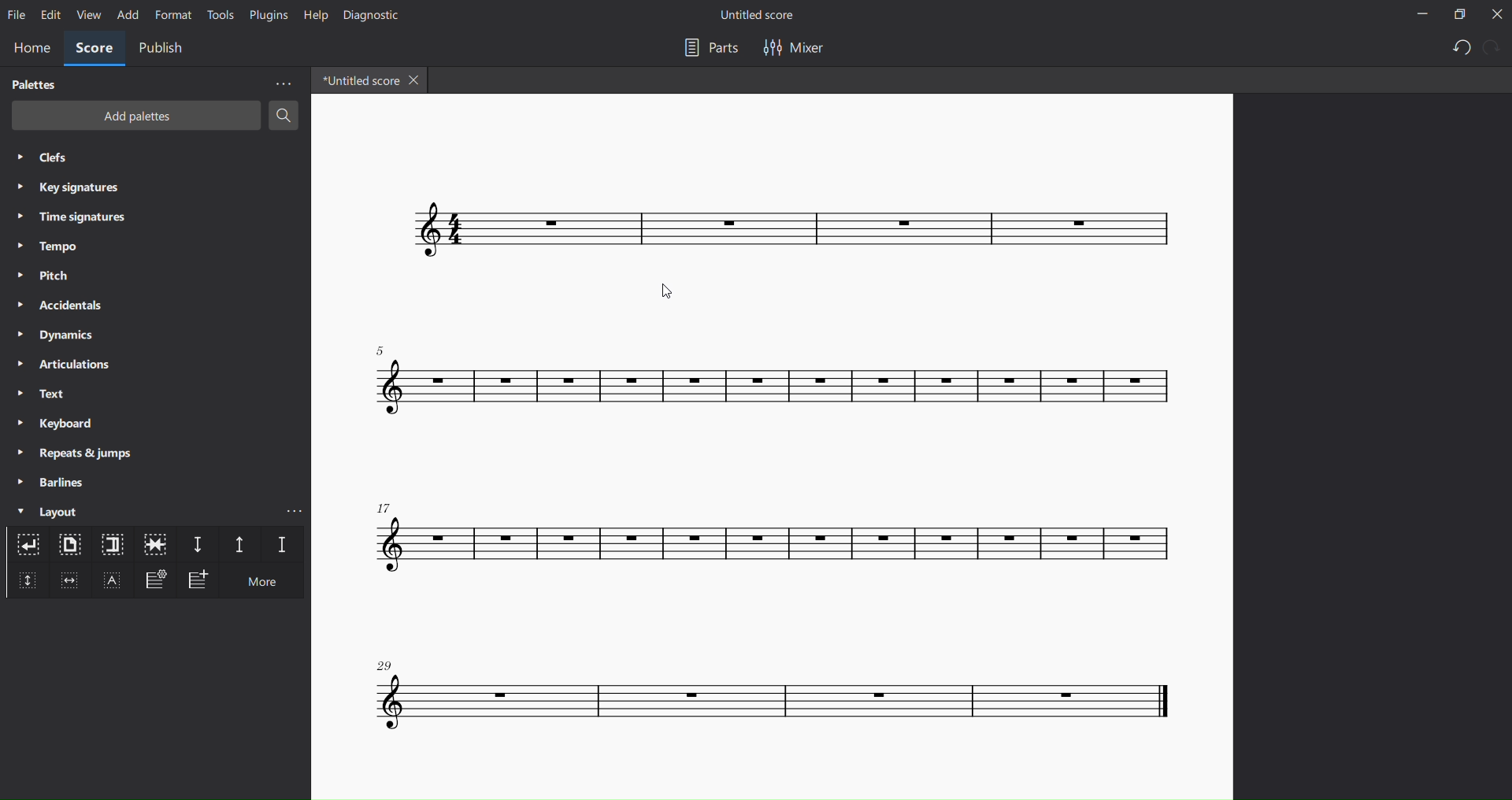 The width and height of the screenshot is (1512, 800). I want to click on layout, so click(46, 512).